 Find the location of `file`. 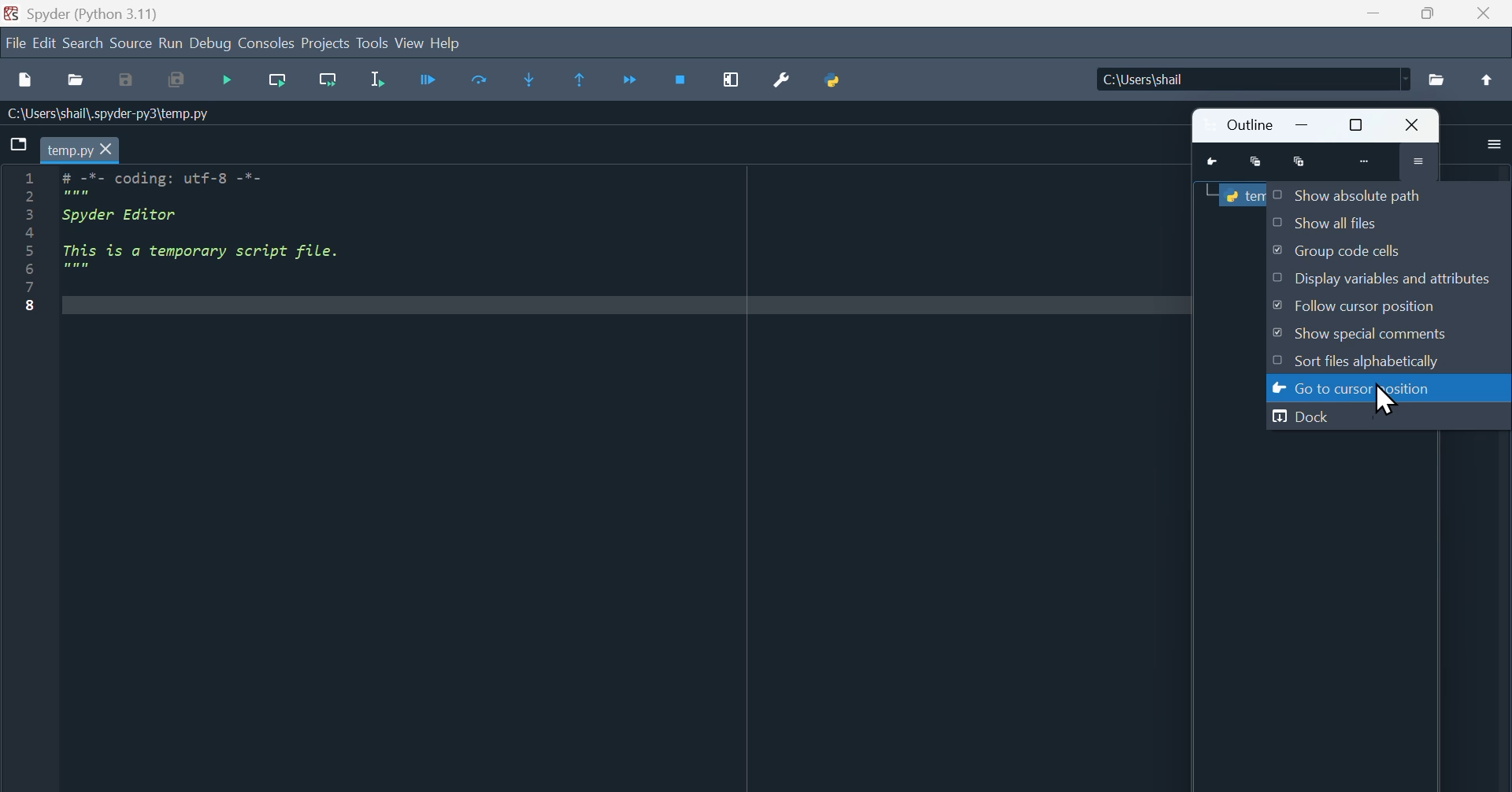

file is located at coordinates (14, 42).